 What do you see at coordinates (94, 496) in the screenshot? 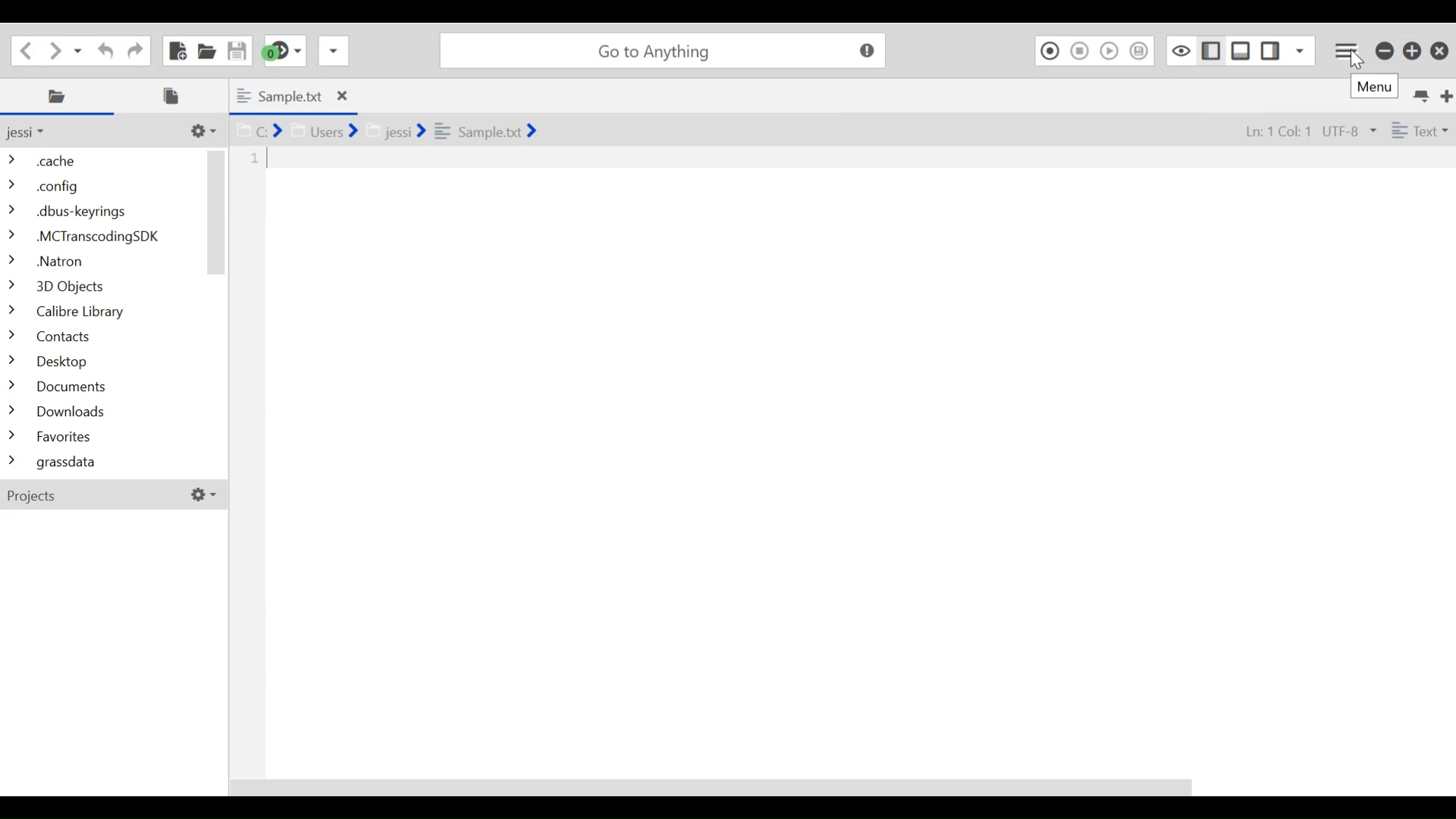
I see `Projects` at bounding box center [94, 496].